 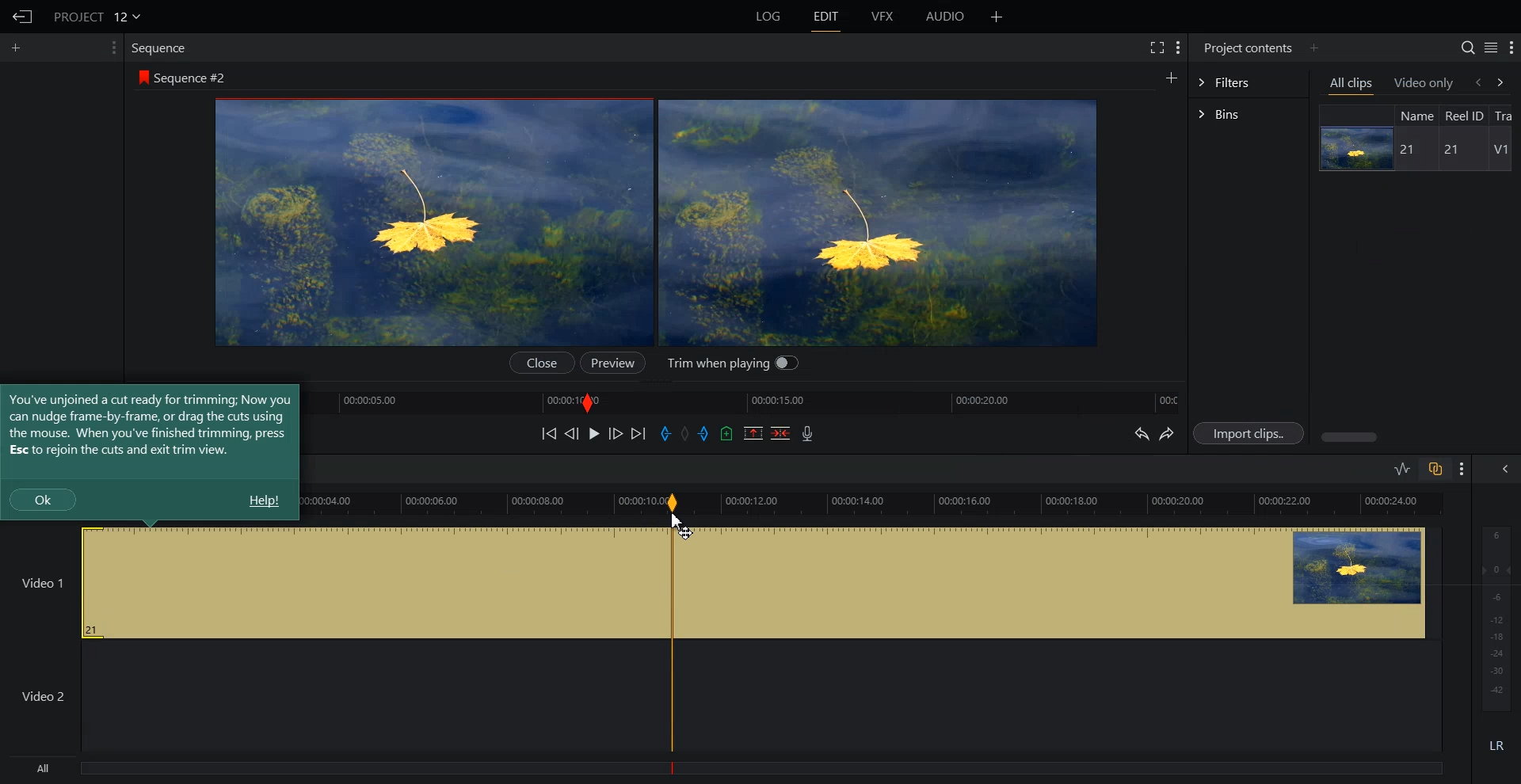 I want to click on EDIT, so click(x=825, y=17).